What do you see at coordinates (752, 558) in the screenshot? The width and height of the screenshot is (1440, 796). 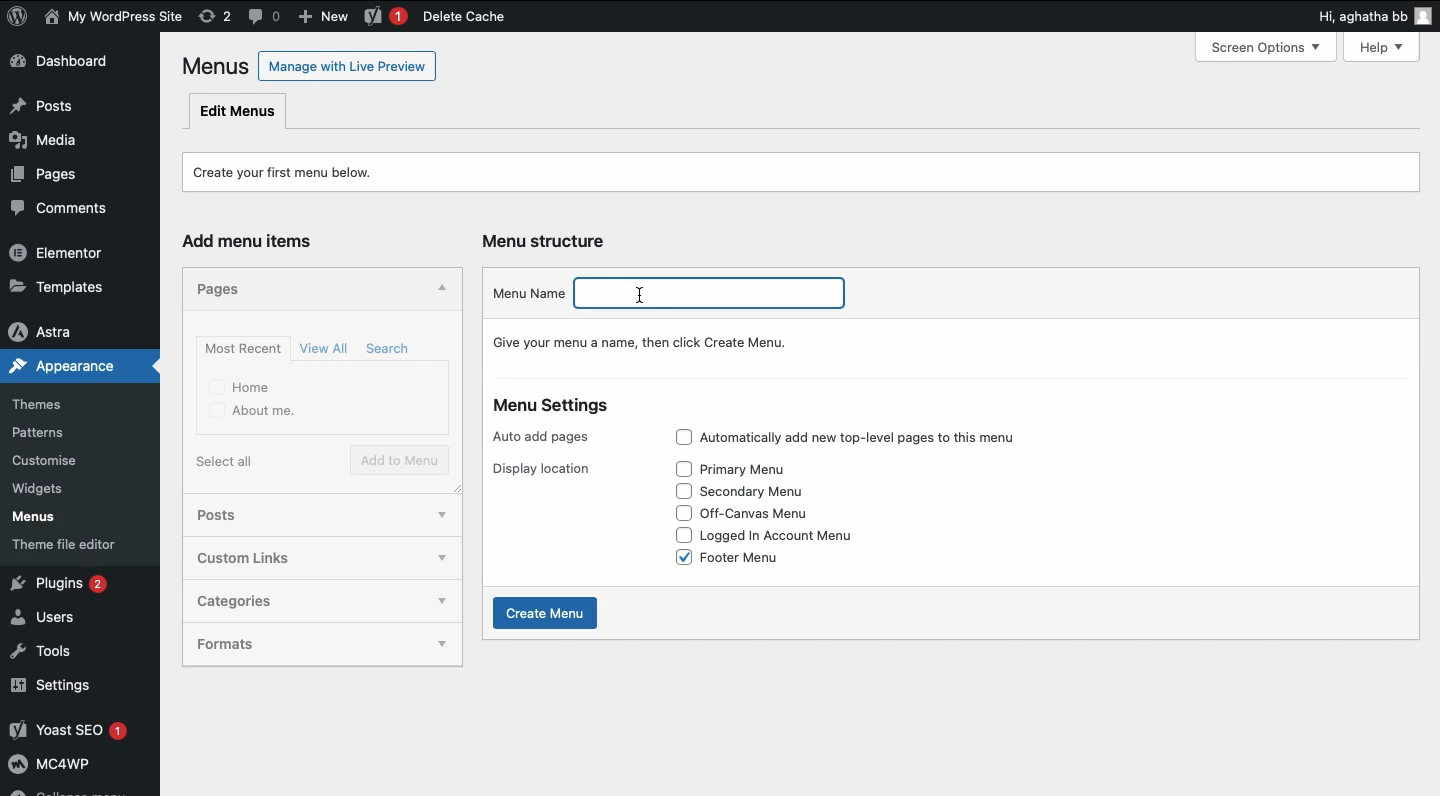 I see `Footer menu (selected)` at bounding box center [752, 558].